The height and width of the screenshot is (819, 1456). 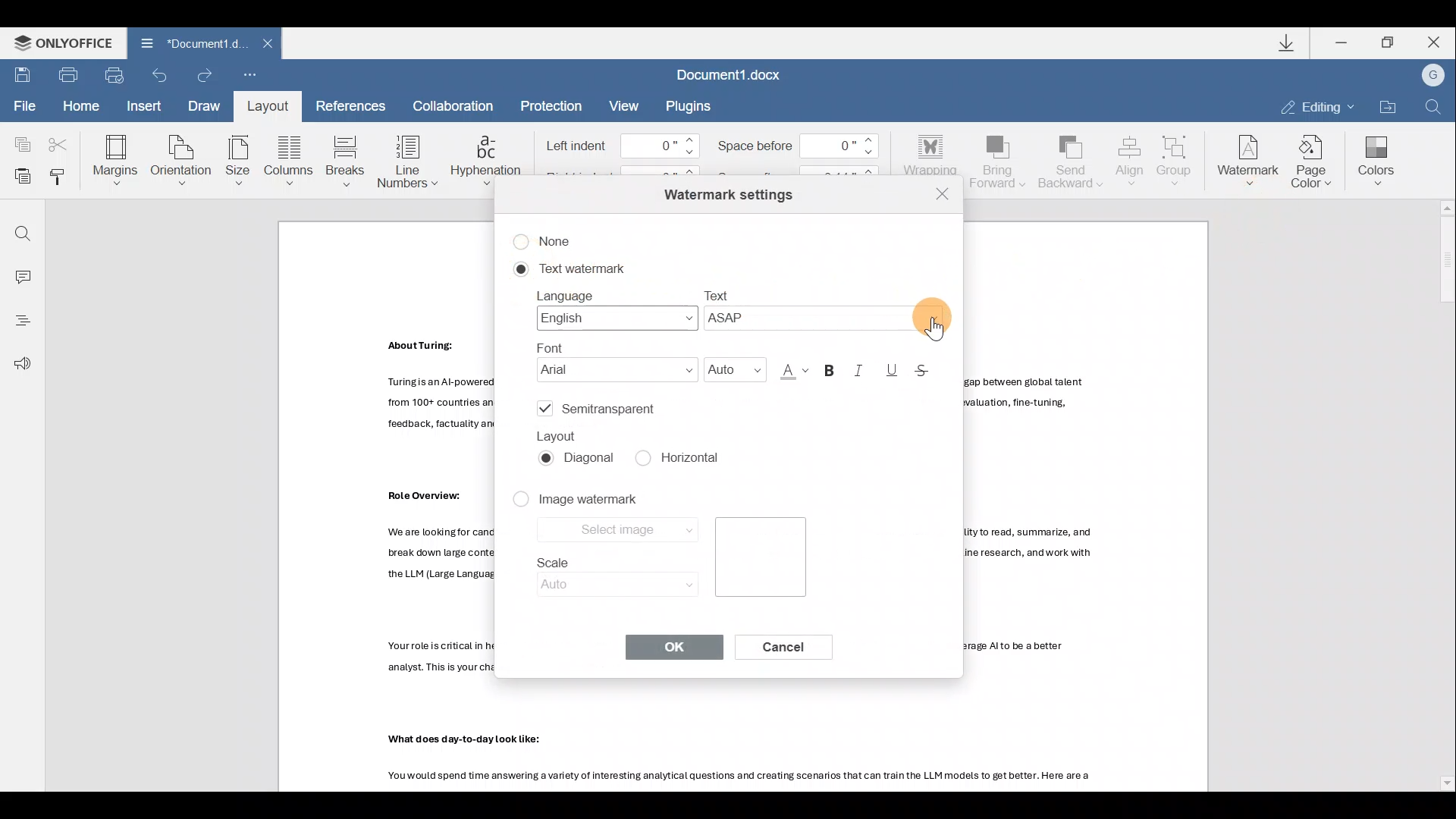 What do you see at coordinates (290, 158) in the screenshot?
I see `Columns` at bounding box center [290, 158].